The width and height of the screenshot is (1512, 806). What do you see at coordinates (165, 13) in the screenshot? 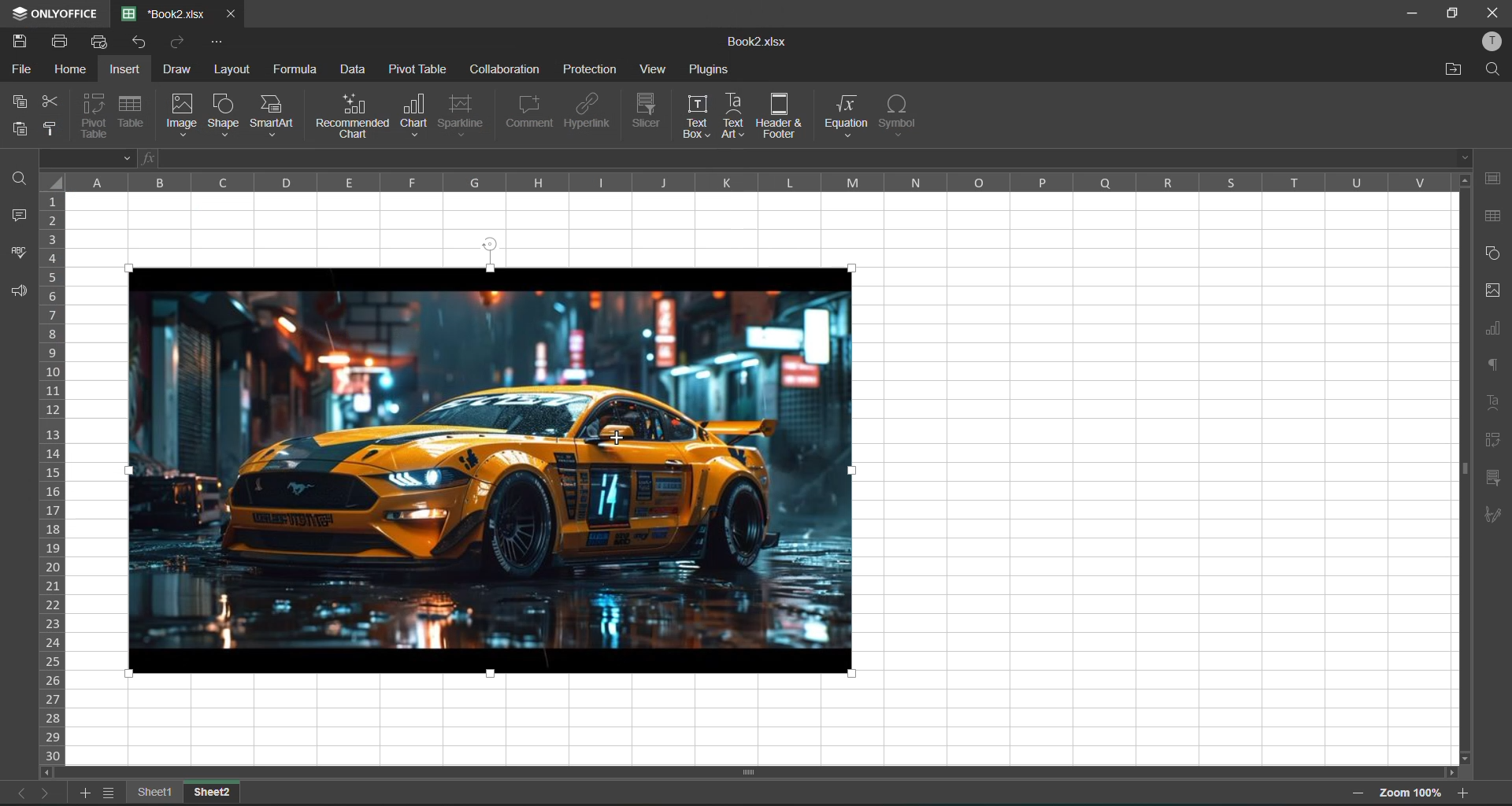
I see `*Book2.xlsx` at bounding box center [165, 13].